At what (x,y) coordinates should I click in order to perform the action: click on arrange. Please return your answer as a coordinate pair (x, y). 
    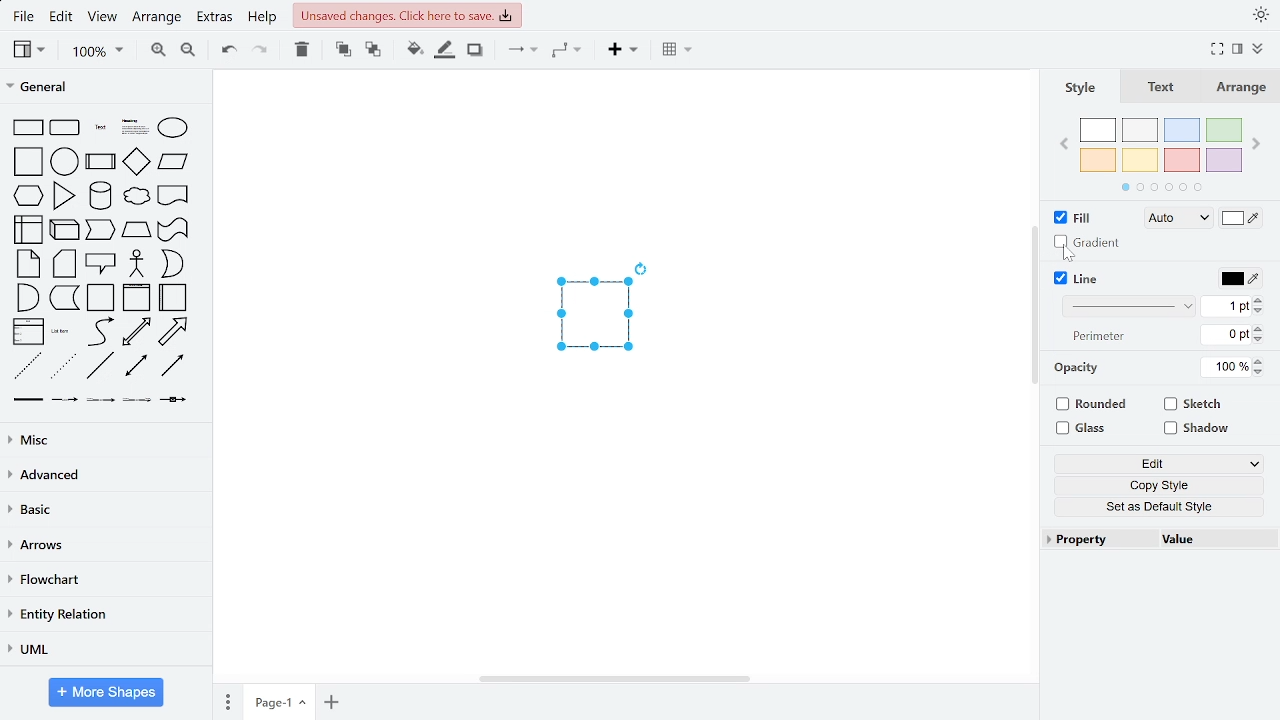
    Looking at the image, I should click on (1240, 89).